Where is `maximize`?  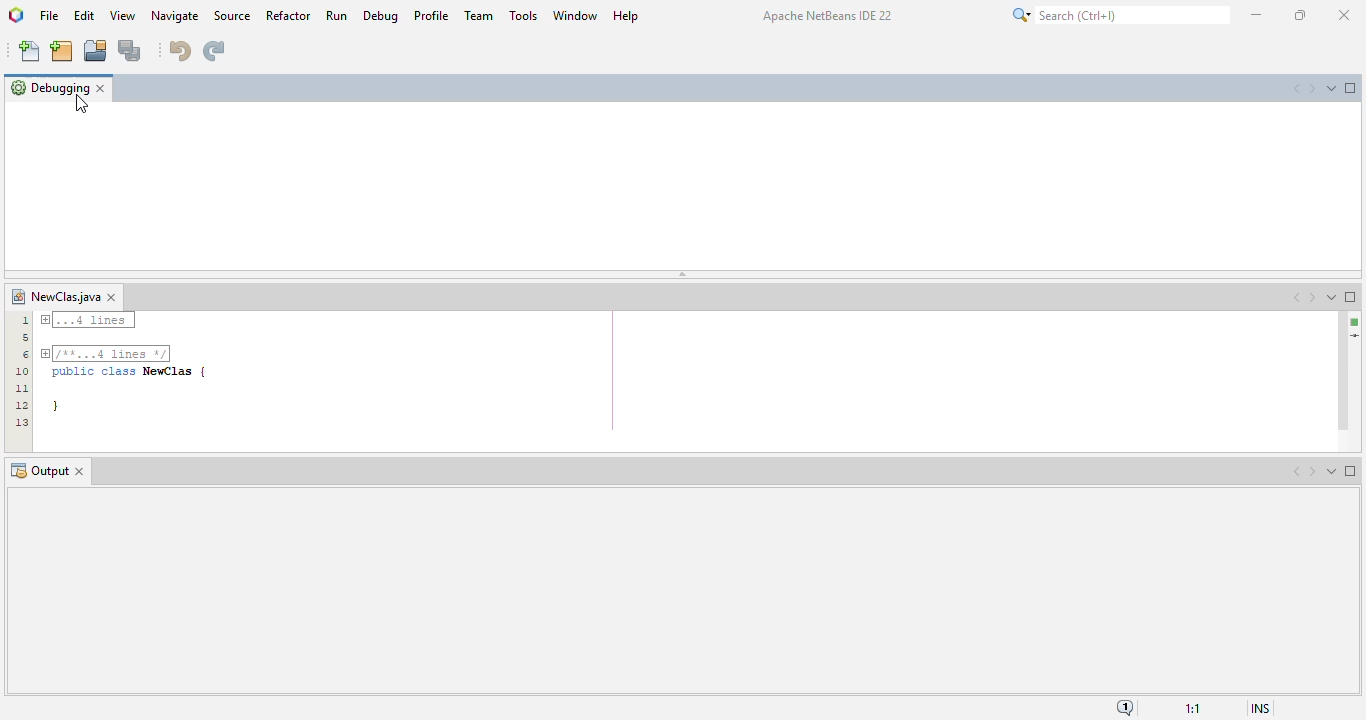 maximize is located at coordinates (1300, 15).